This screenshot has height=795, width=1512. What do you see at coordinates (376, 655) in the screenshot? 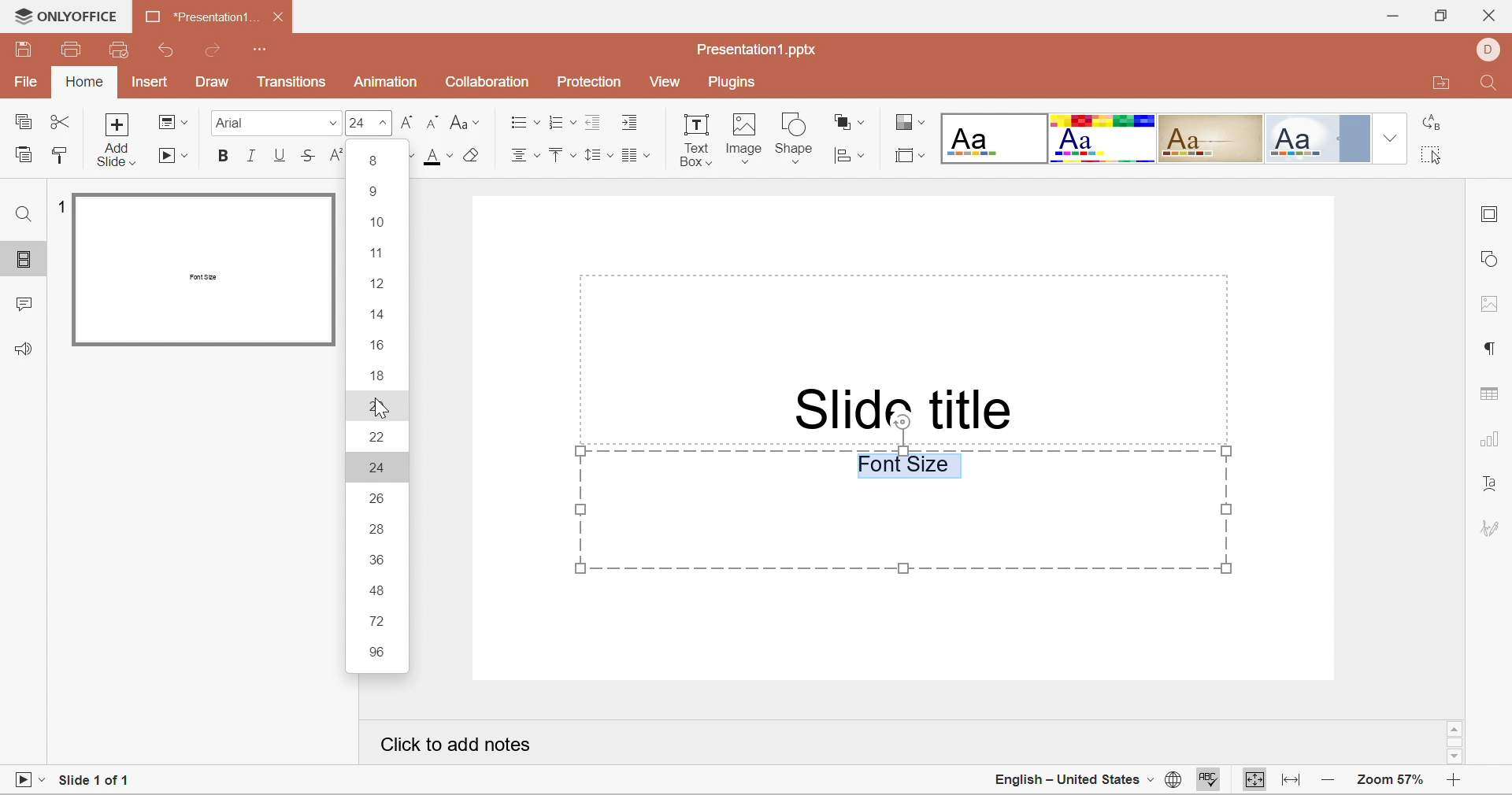
I see `96` at bounding box center [376, 655].